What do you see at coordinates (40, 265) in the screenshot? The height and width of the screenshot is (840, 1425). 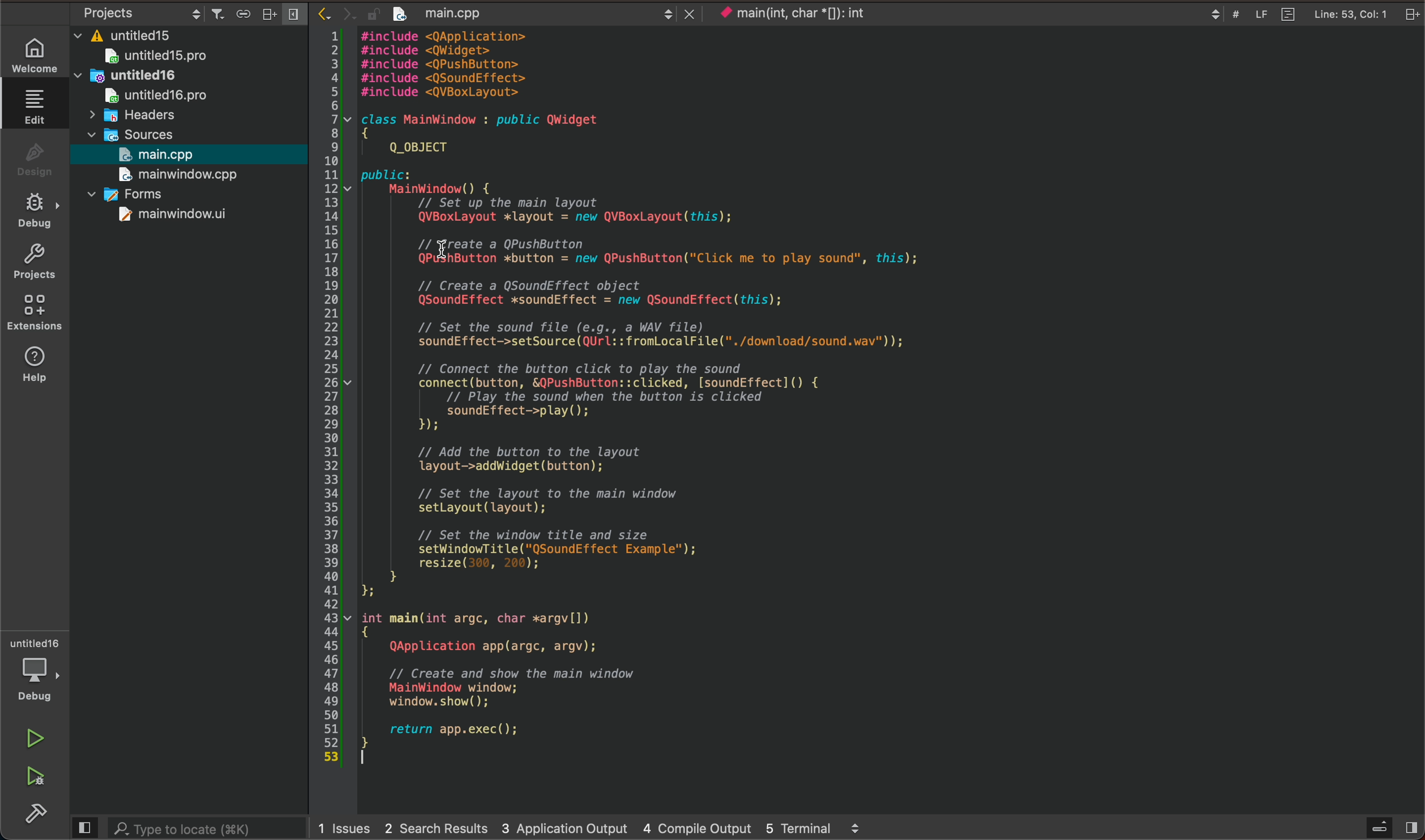 I see `projects` at bounding box center [40, 265].